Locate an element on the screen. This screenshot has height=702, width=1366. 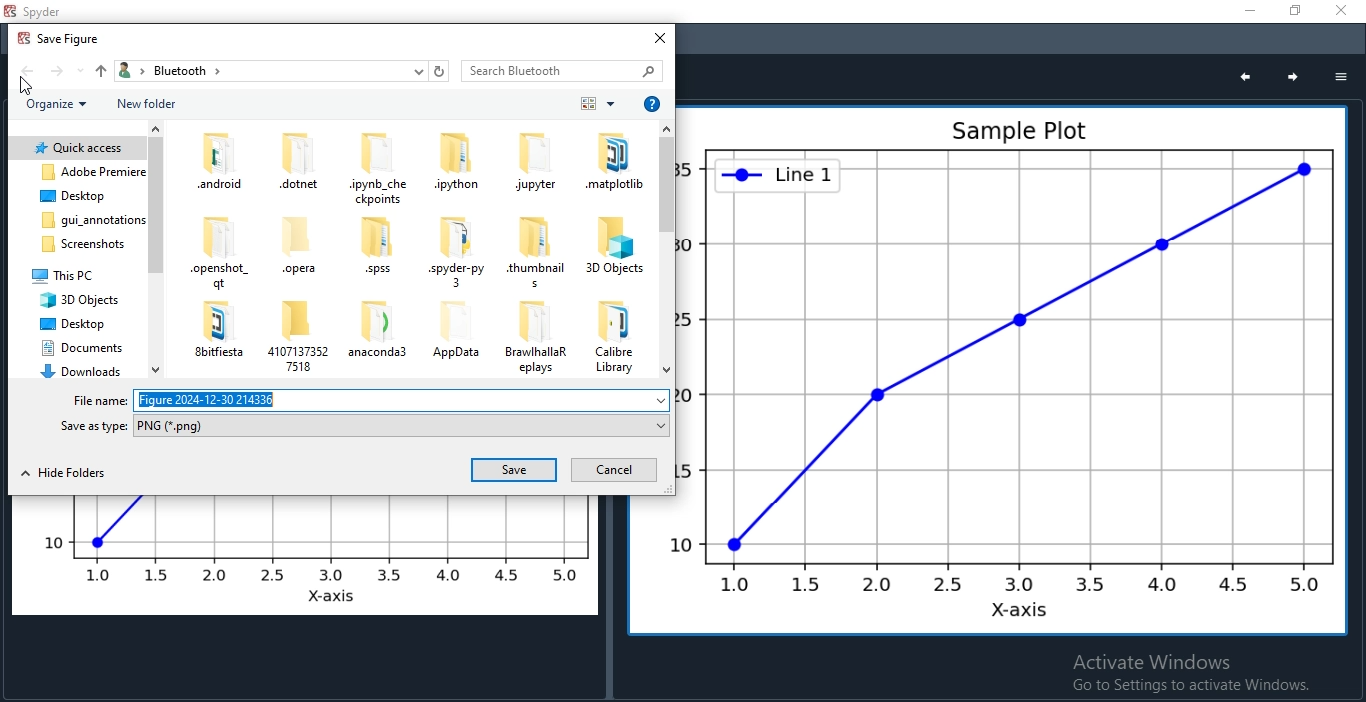
save is located at coordinates (514, 470).